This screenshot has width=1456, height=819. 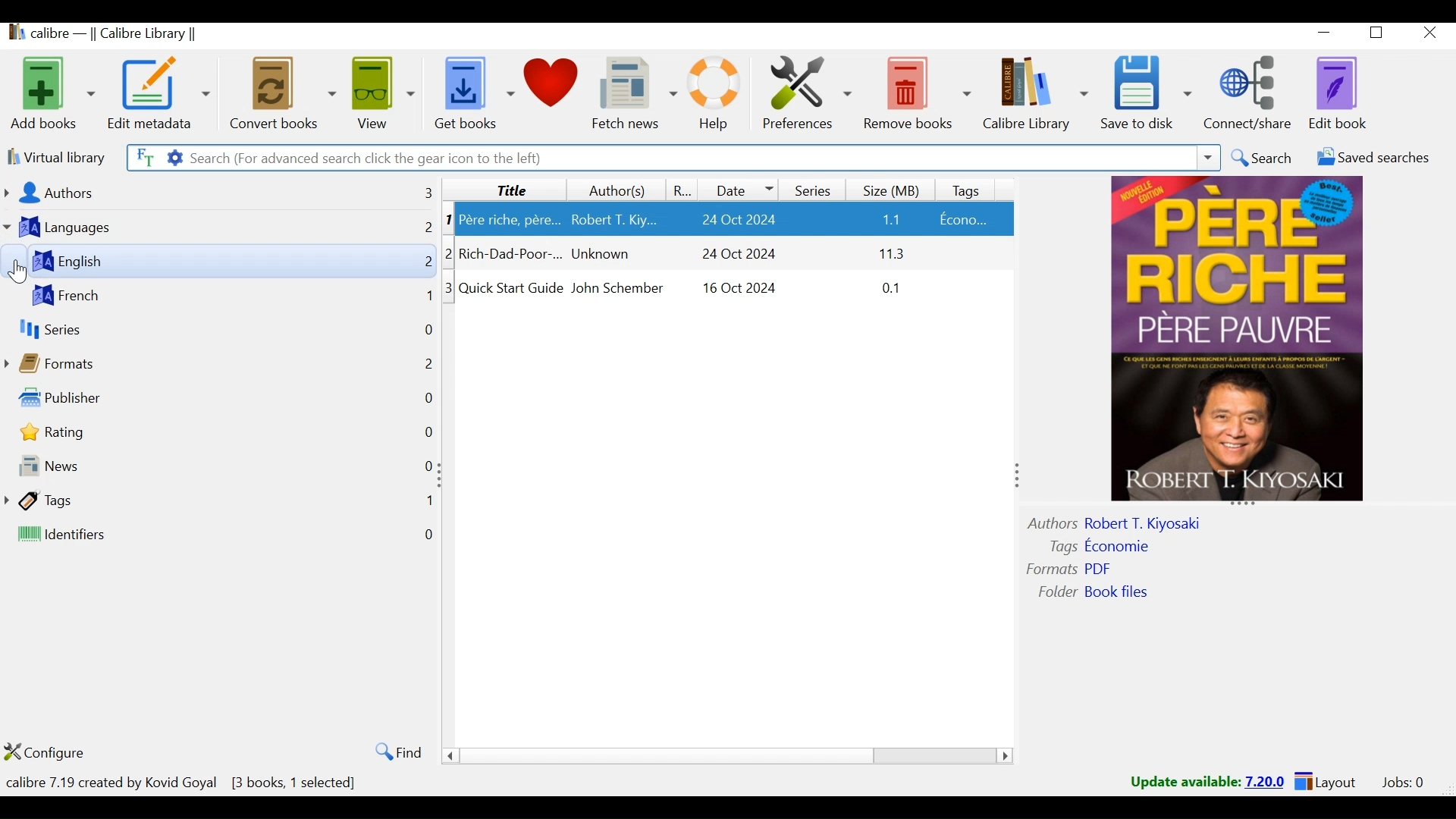 I want to click on calibre 7.19 created by Kovid Goyal [3 books, 1 selected], so click(x=184, y=780).